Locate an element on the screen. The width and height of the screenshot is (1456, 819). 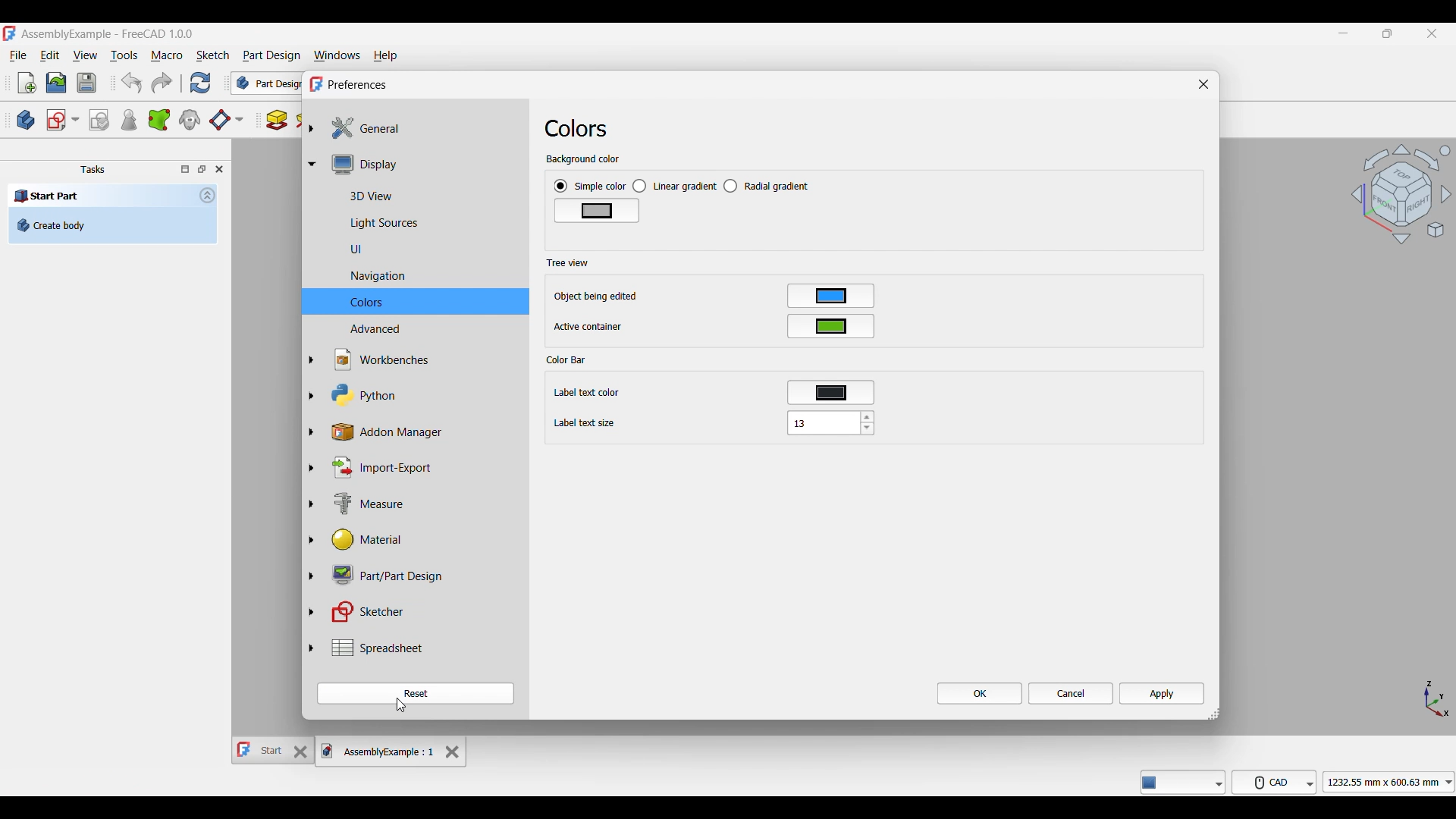
File menu is located at coordinates (18, 55).